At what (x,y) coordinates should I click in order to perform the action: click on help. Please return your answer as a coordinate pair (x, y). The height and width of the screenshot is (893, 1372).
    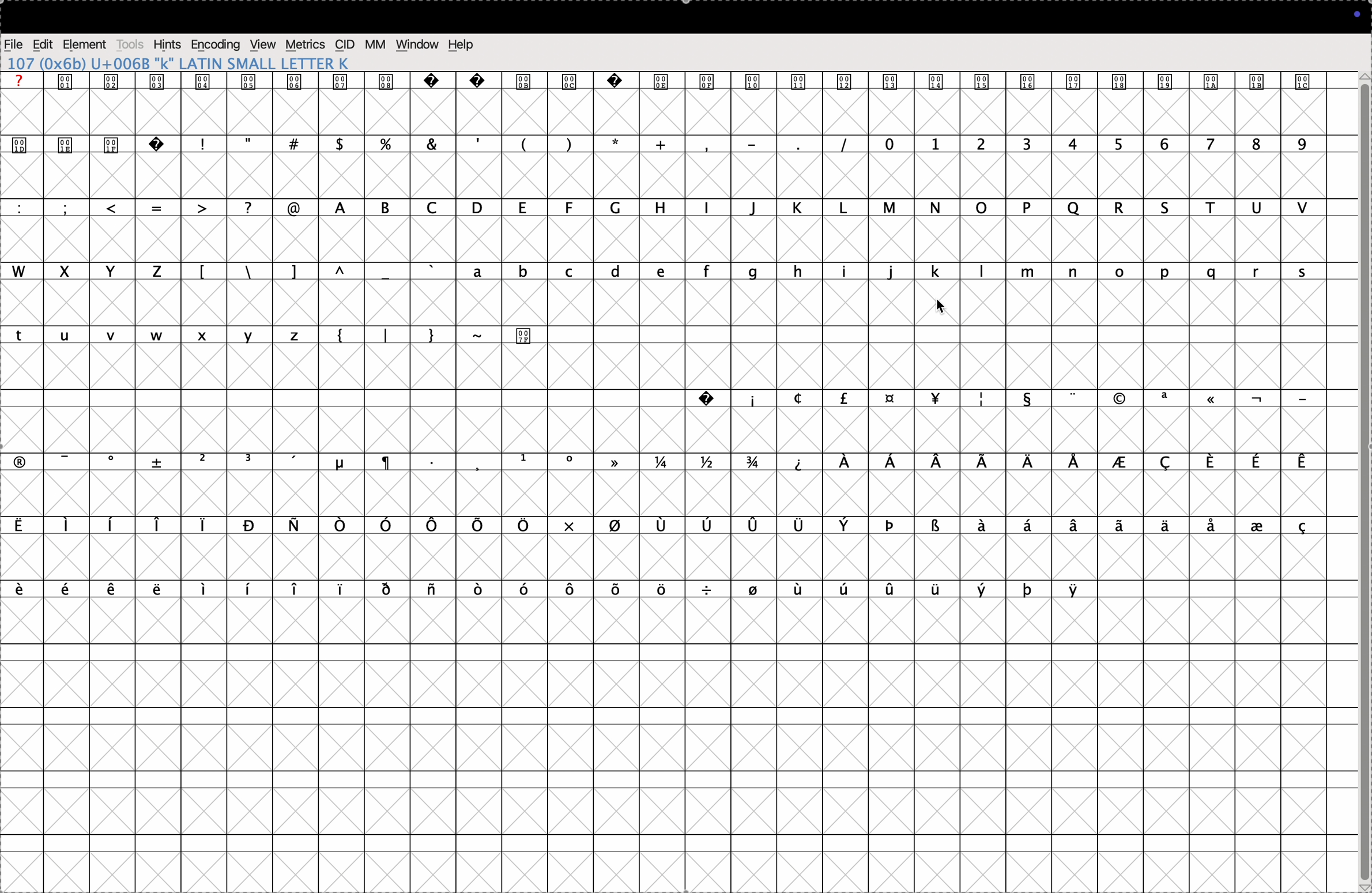
    Looking at the image, I should click on (461, 46).